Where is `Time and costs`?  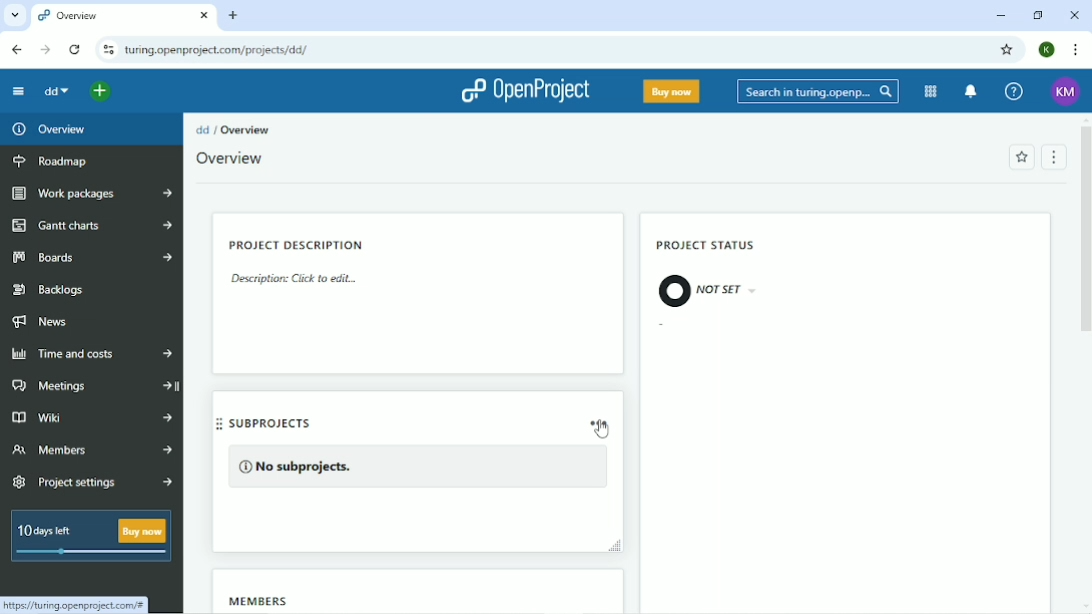 Time and costs is located at coordinates (90, 355).